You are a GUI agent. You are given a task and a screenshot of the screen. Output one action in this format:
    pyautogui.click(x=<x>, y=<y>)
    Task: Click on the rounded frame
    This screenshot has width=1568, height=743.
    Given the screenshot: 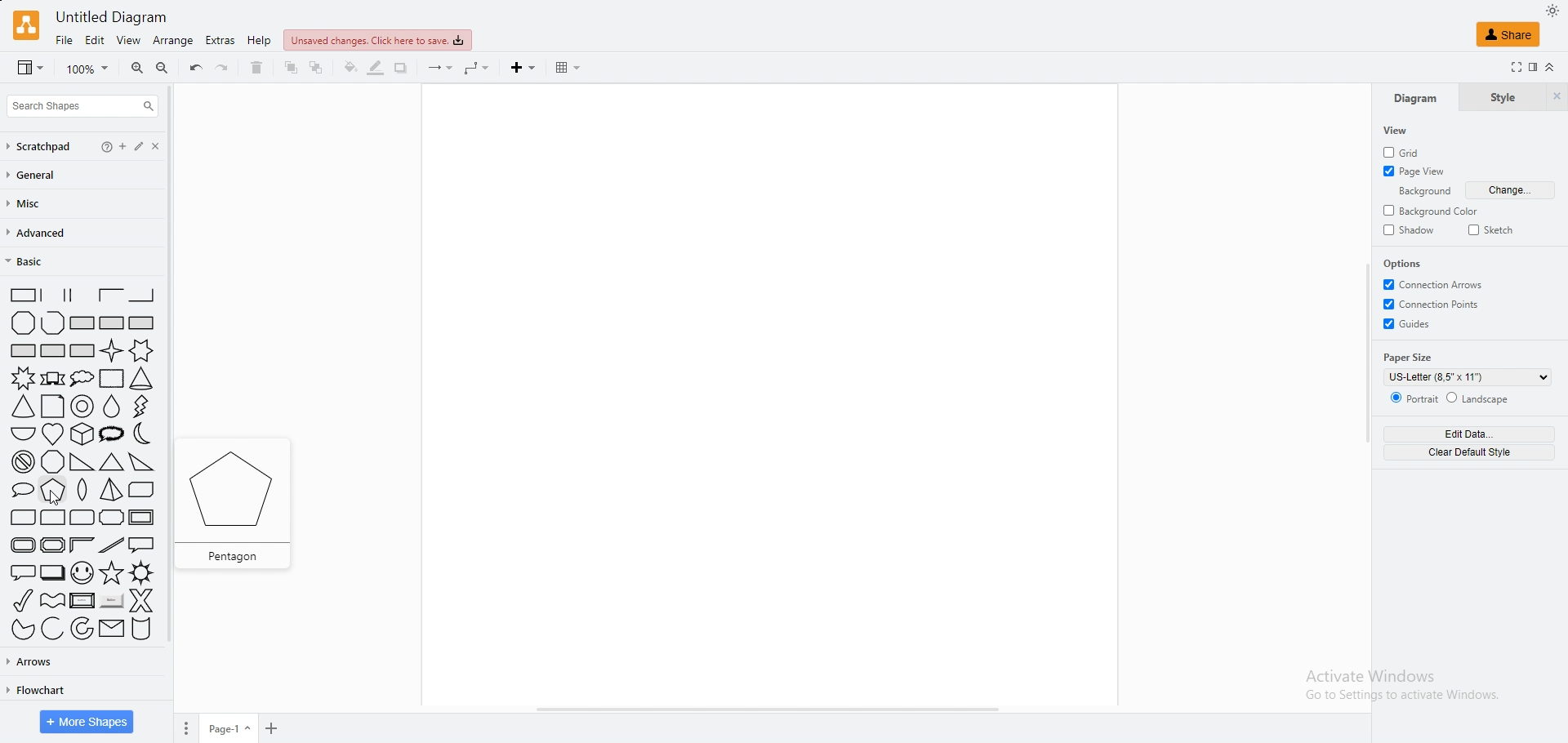 What is the action you would take?
    pyautogui.click(x=19, y=545)
    